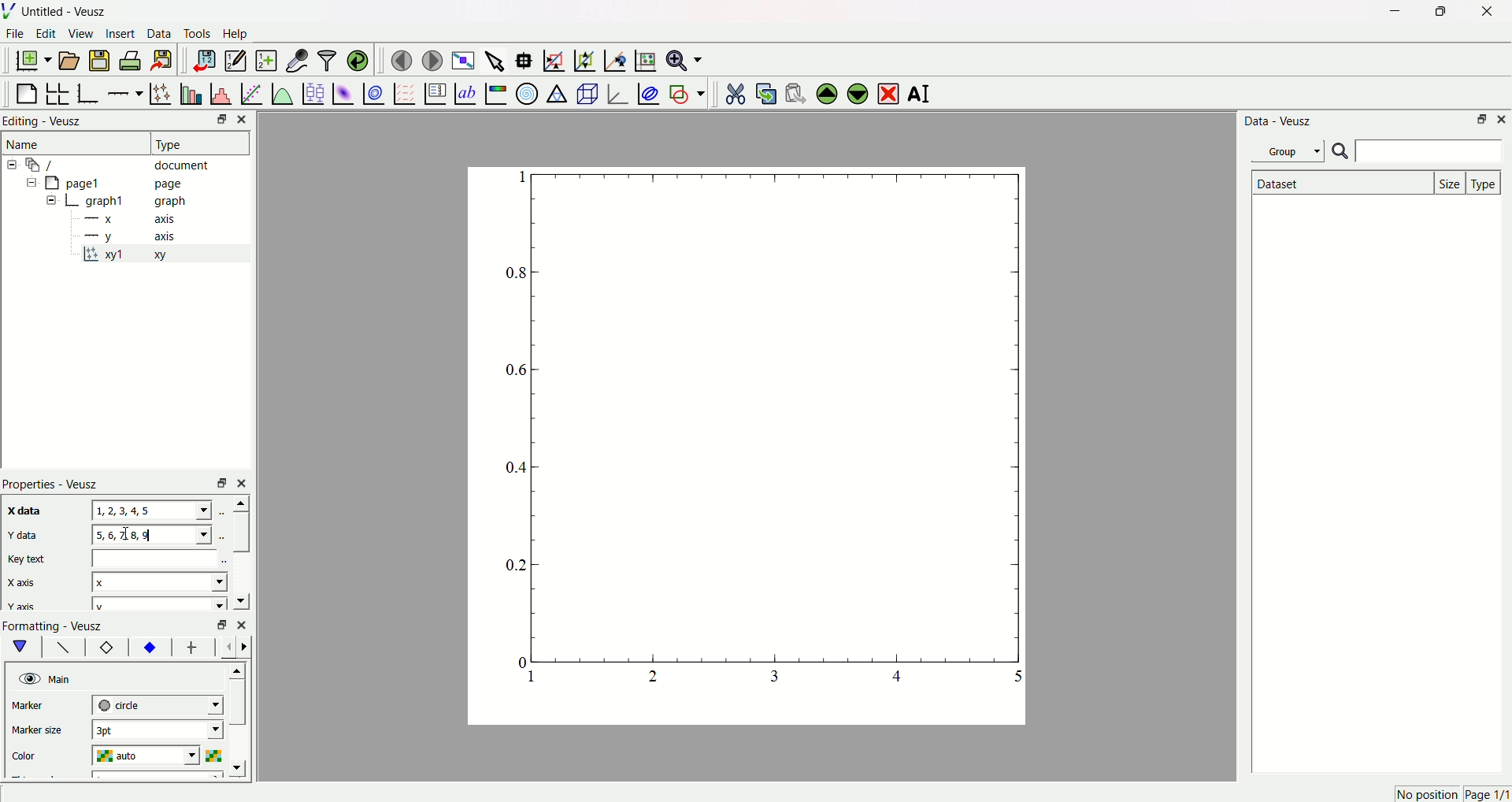  What do you see at coordinates (157, 558) in the screenshot?
I see `Key text field` at bounding box center [157, 558].